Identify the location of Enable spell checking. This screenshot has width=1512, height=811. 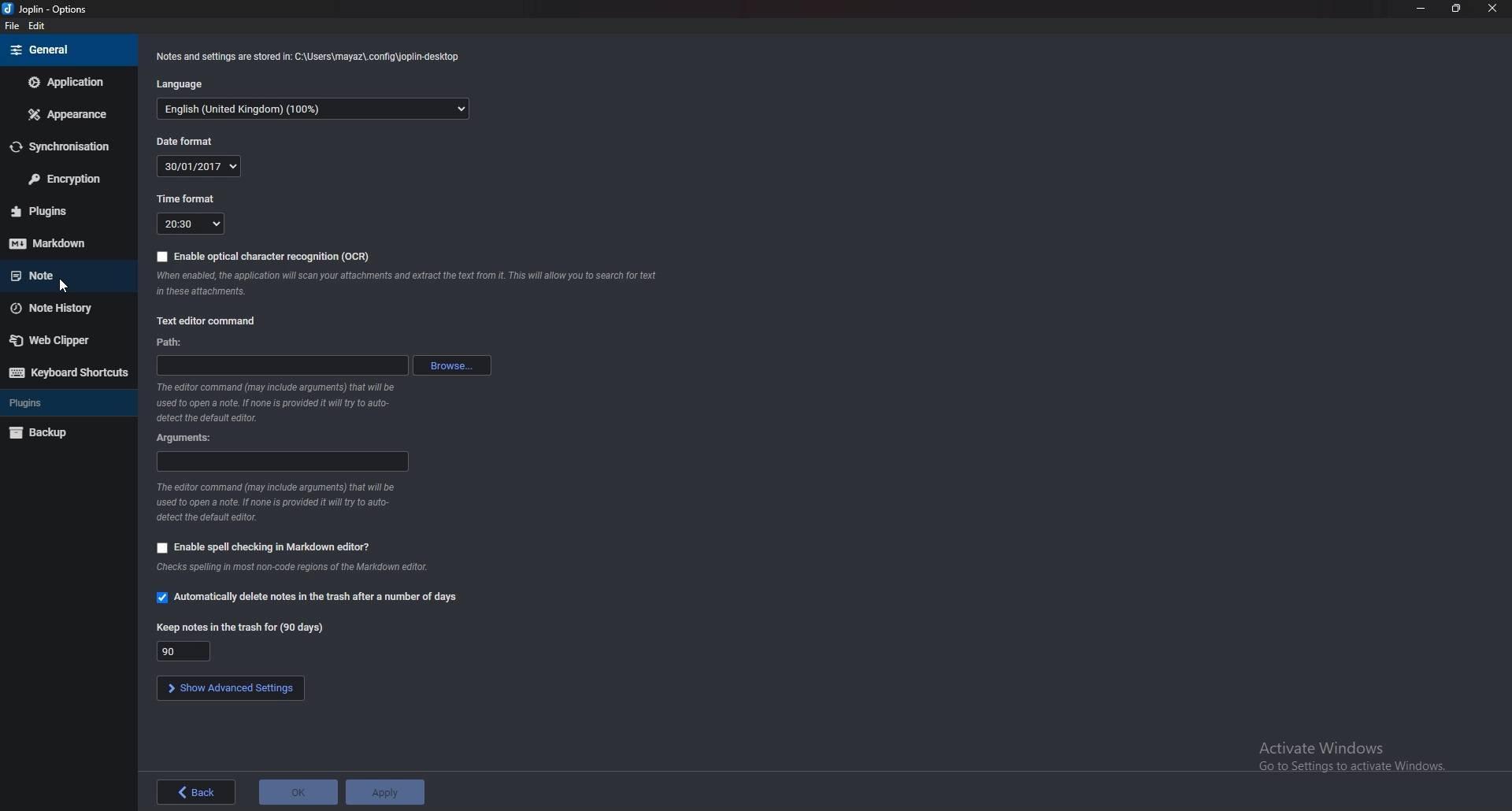
(272, 548).